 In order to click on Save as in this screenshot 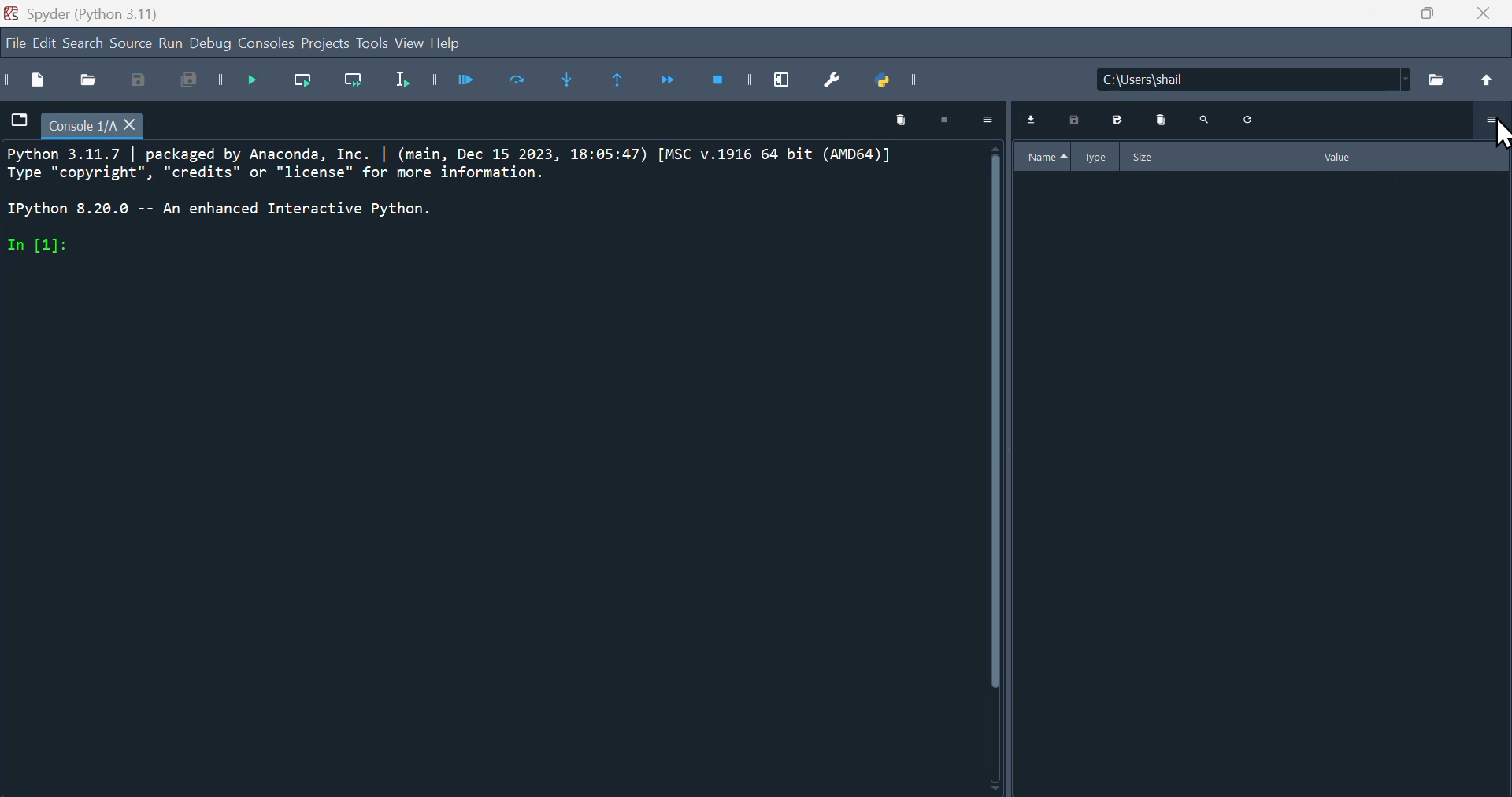, I will do `click(1115, 121)`.